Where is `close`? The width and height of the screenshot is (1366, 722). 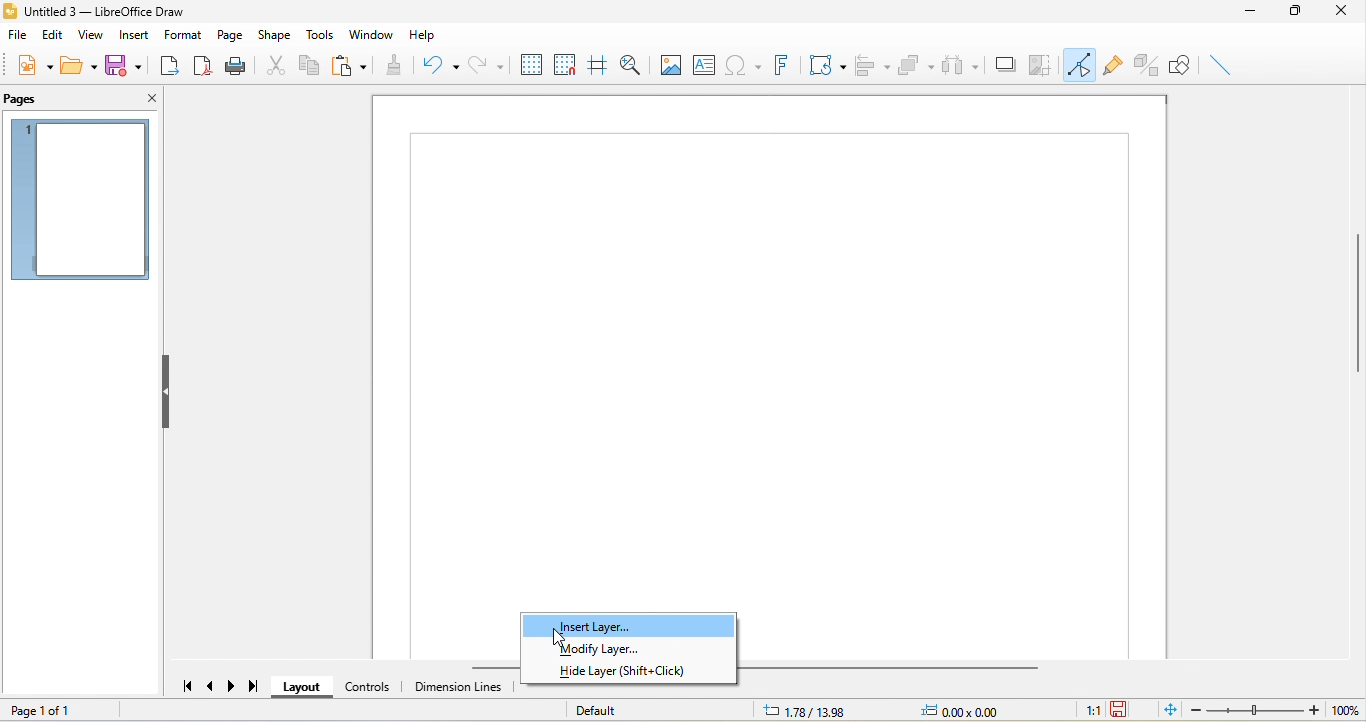 close is located at coordinates (1340, 12).